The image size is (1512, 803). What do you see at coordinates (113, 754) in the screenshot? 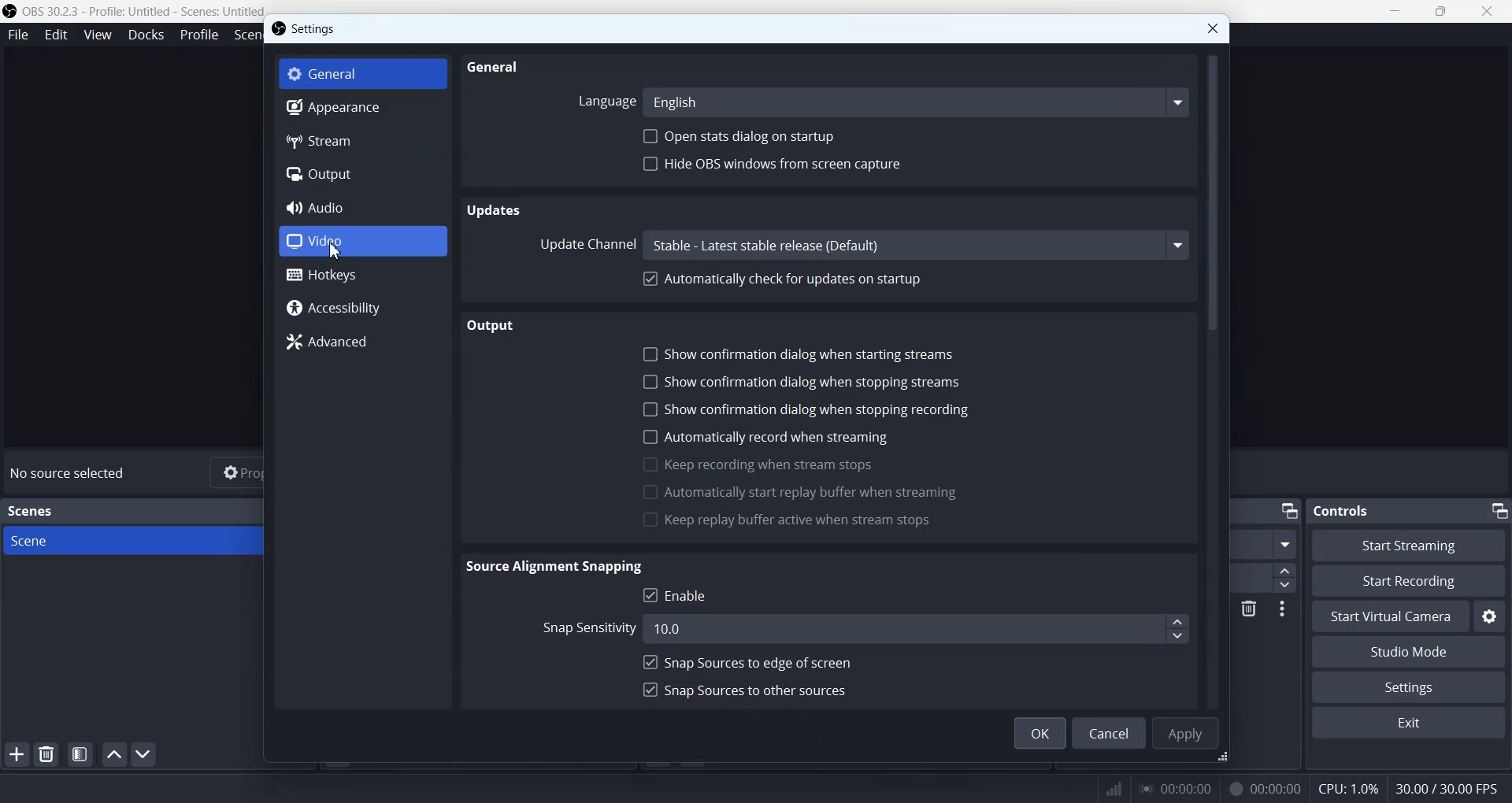
I see `Move scene up` at bounding box center [113, 754].